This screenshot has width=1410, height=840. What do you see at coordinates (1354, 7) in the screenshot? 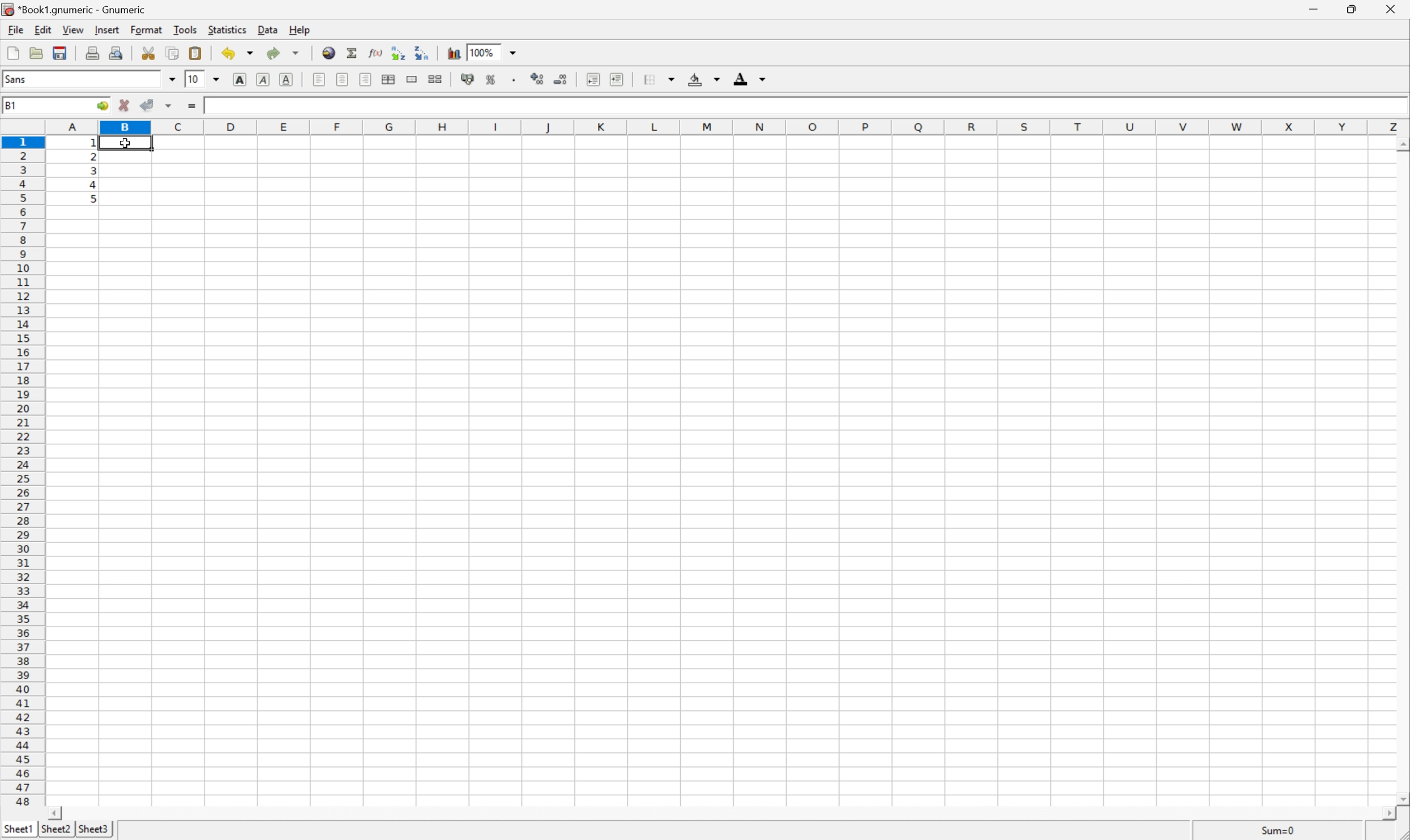
I see `Restore Down` at bounding box center [1354, 7].